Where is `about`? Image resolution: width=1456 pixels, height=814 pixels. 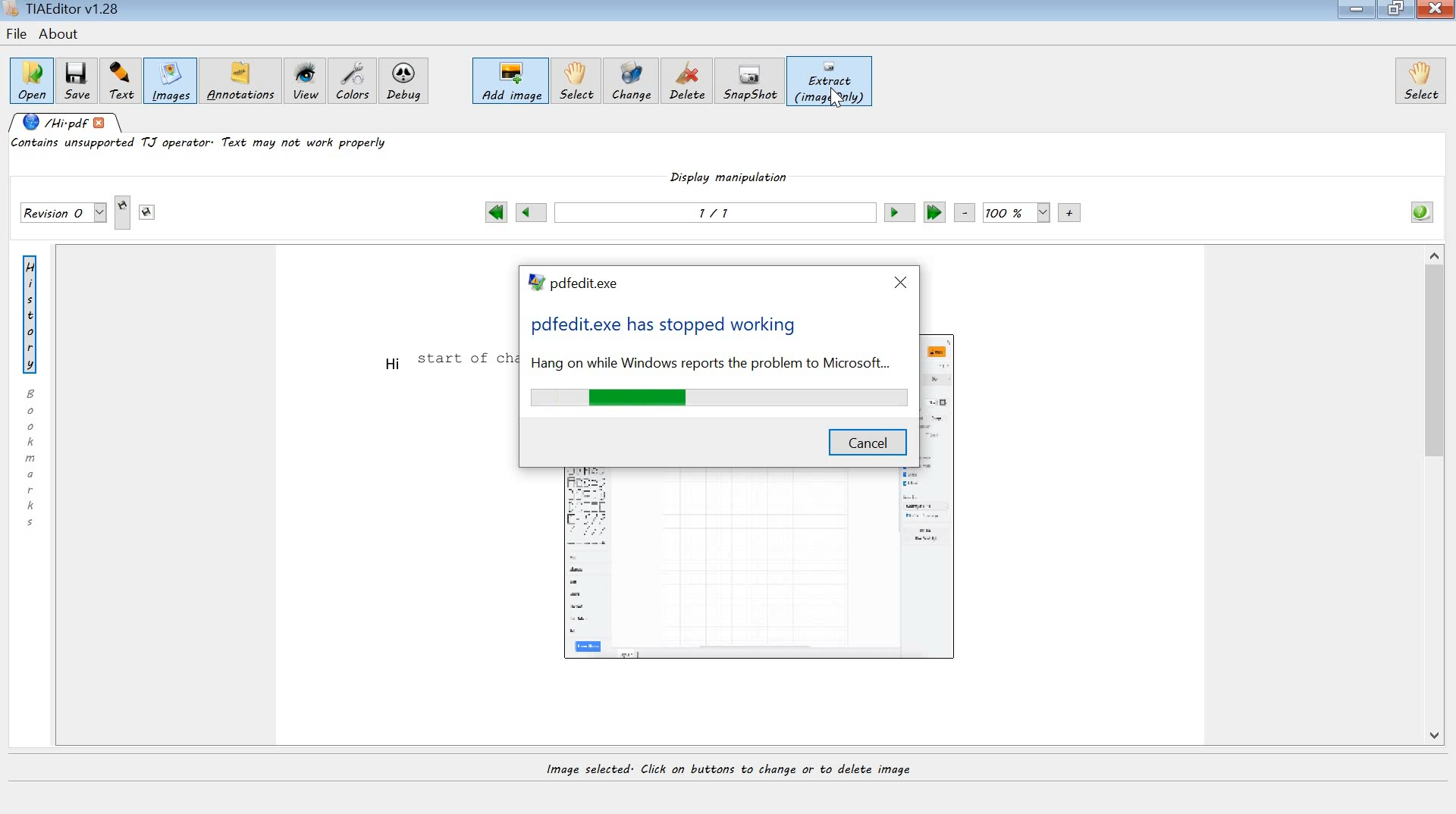
about is located at coordinates (61, 36).